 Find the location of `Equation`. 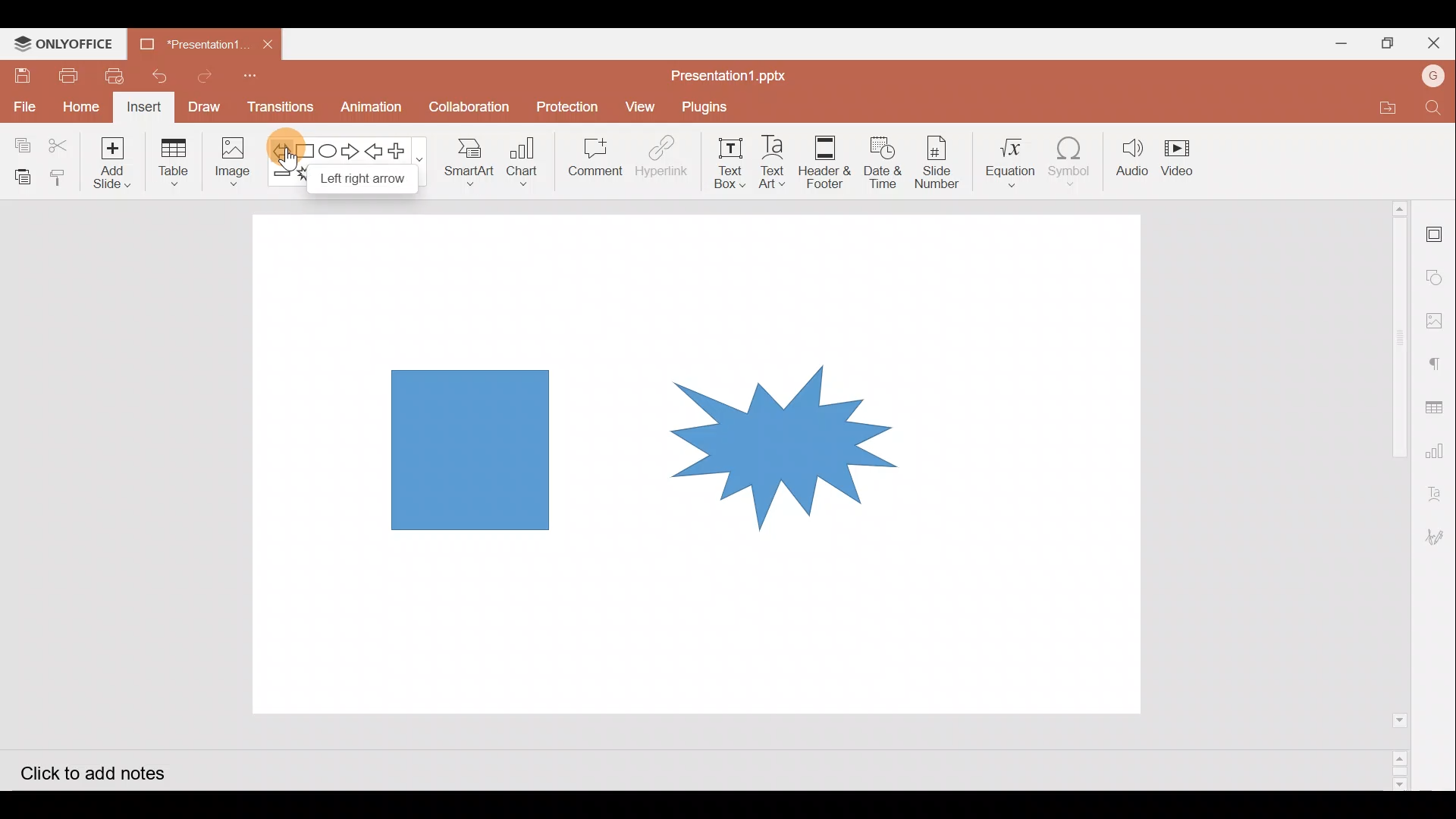

Equation is located at coordinates (1006, 160).